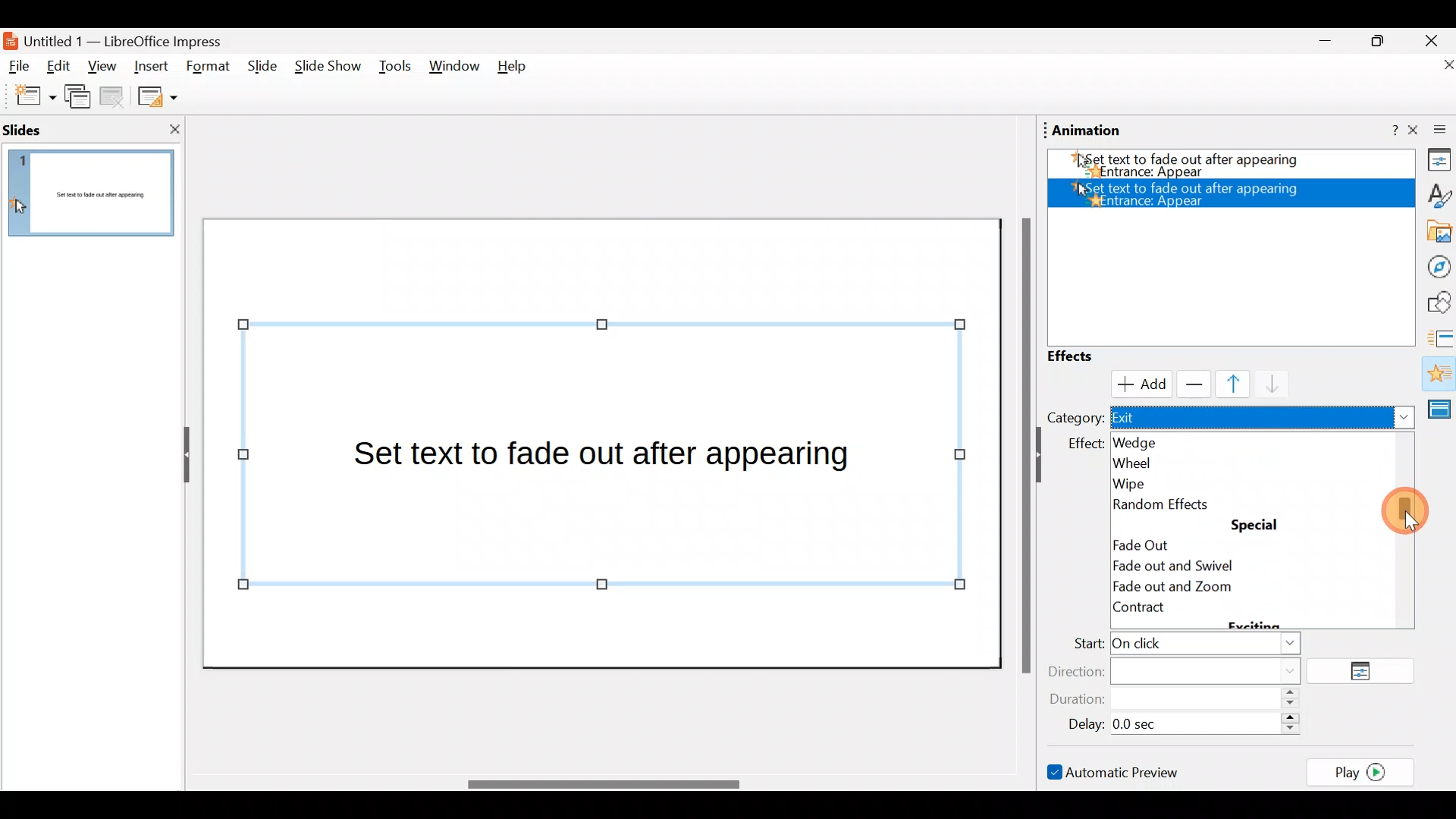 This screenshot has width=1456, height=819. I want to click on Appear effect added, so click(1191, 193).